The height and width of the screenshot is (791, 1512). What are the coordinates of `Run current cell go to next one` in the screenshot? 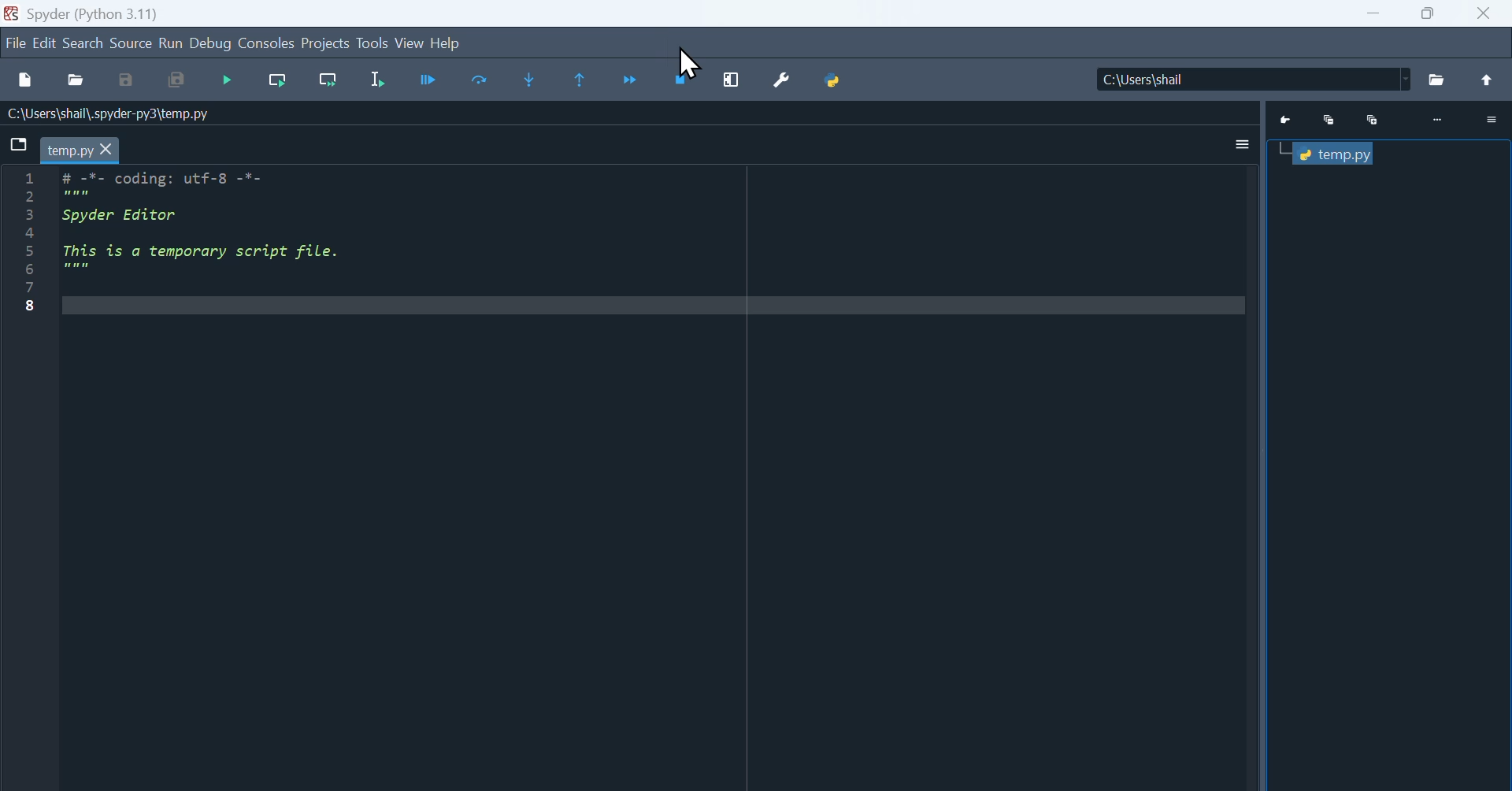 It's located at (328, 81).